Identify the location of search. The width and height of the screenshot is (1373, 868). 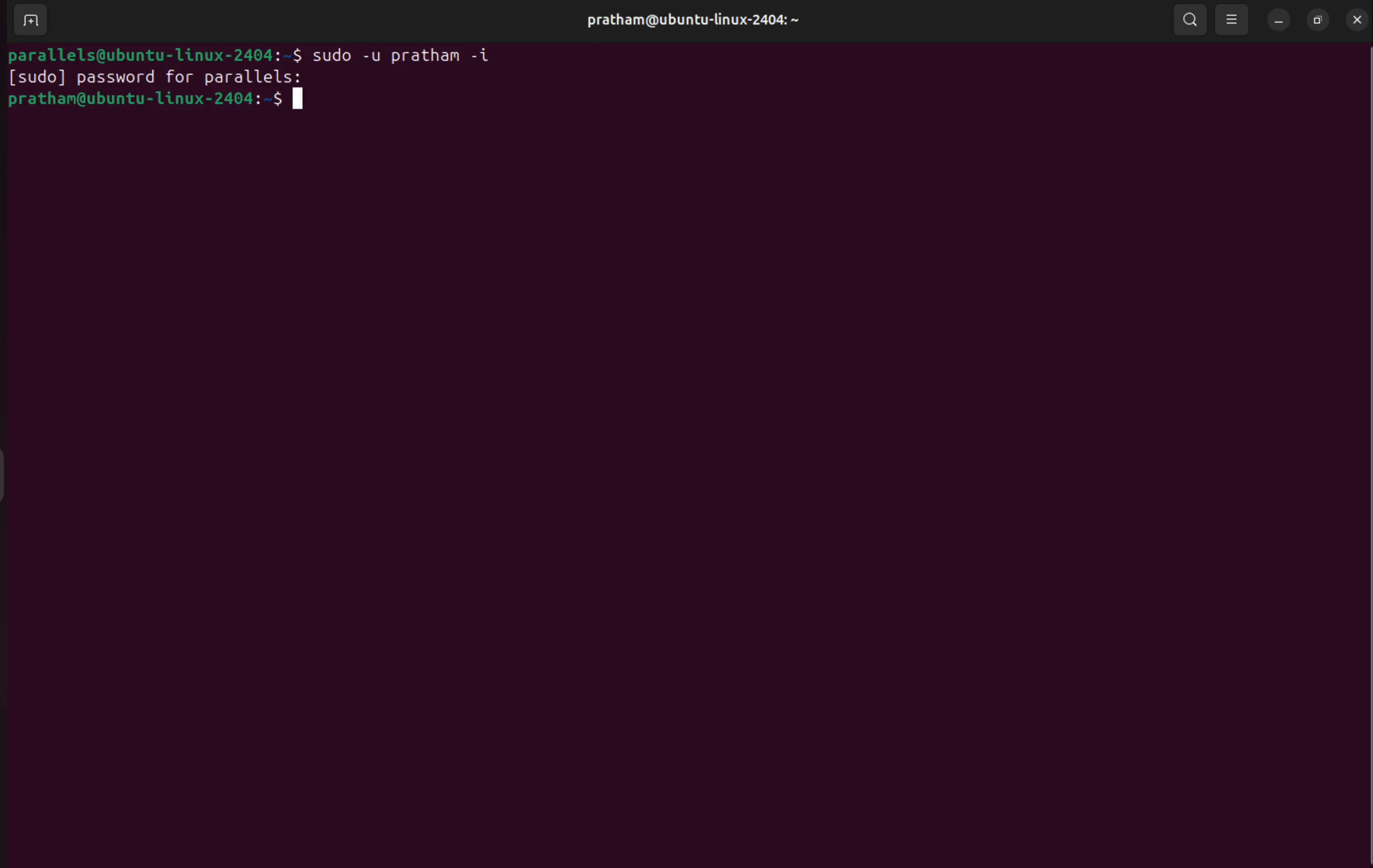
(1189, 21).